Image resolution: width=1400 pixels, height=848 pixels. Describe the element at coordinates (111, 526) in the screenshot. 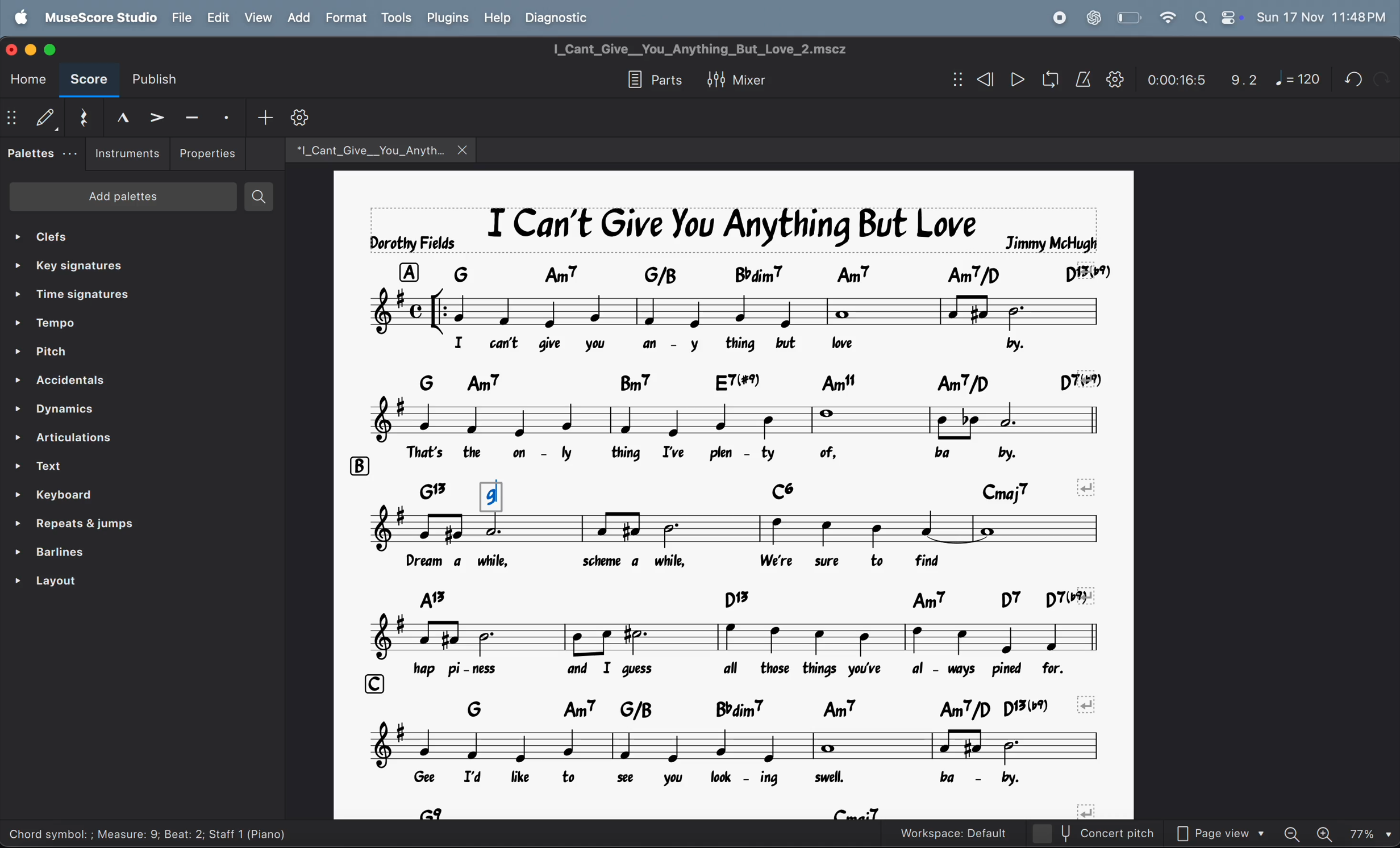

I see `repeats and jump` at that location.